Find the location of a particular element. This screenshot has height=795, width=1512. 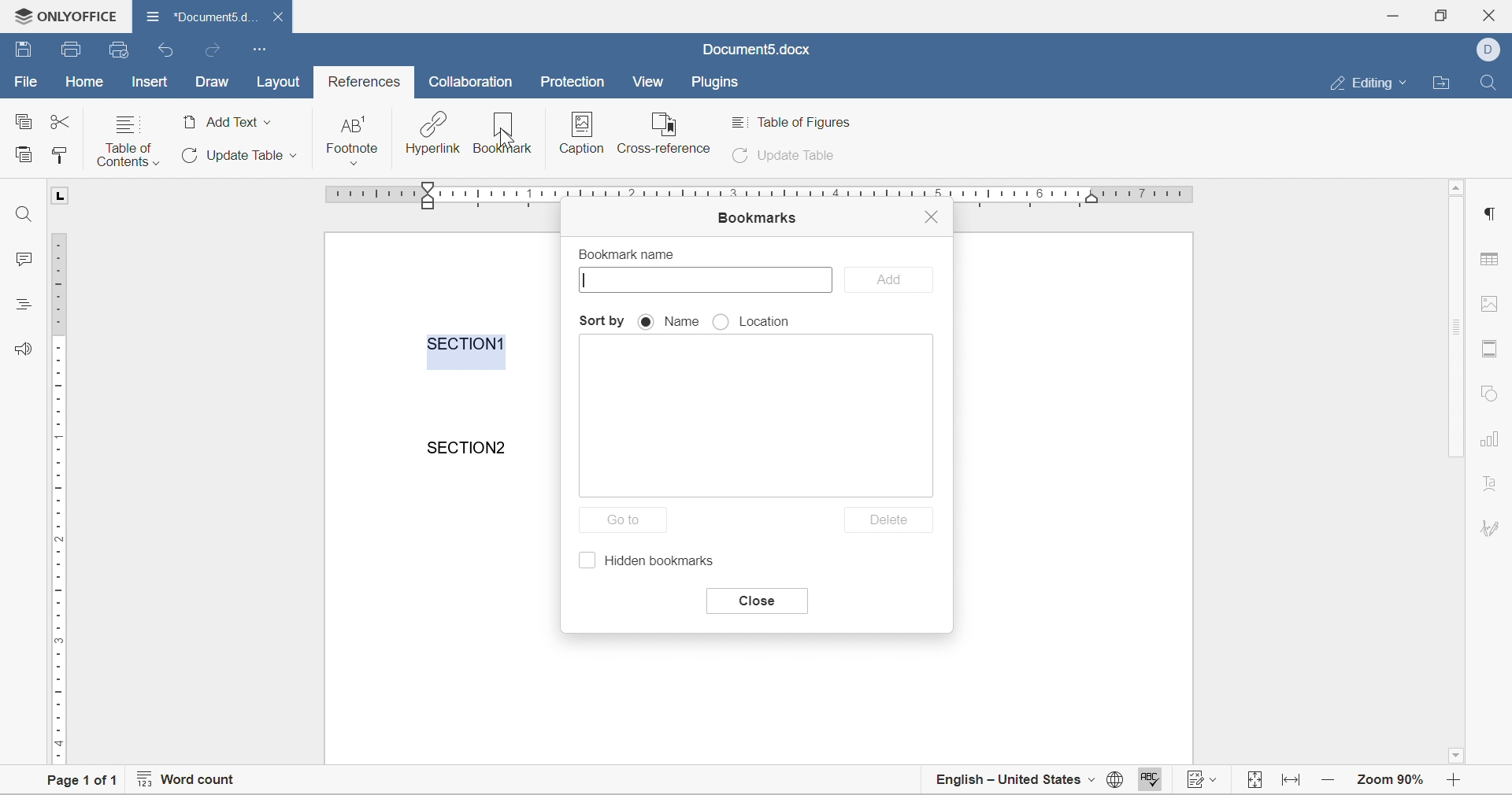

word count is located at coordinates (185, 782).